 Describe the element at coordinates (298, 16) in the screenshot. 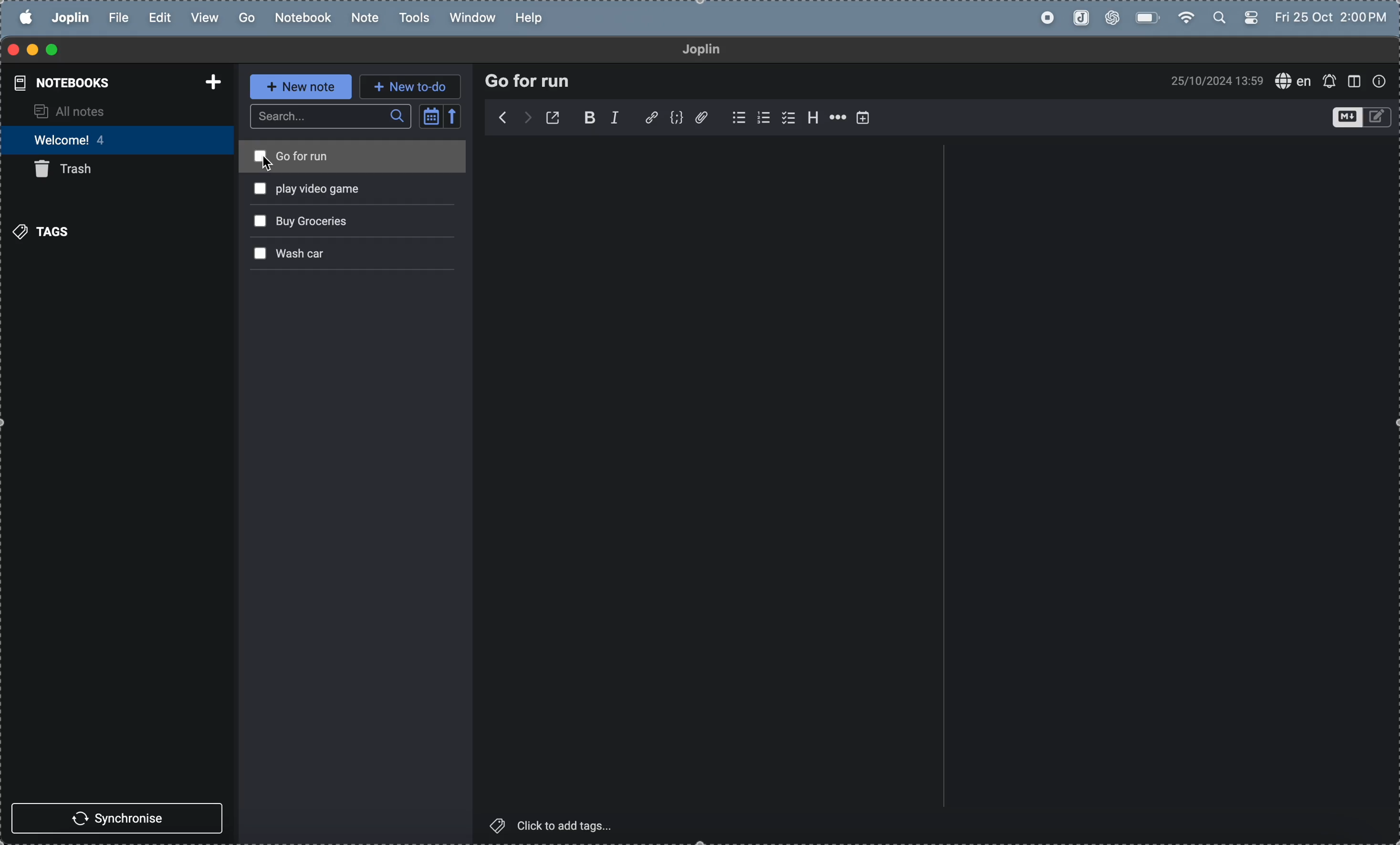

I see `notebook` at that location.